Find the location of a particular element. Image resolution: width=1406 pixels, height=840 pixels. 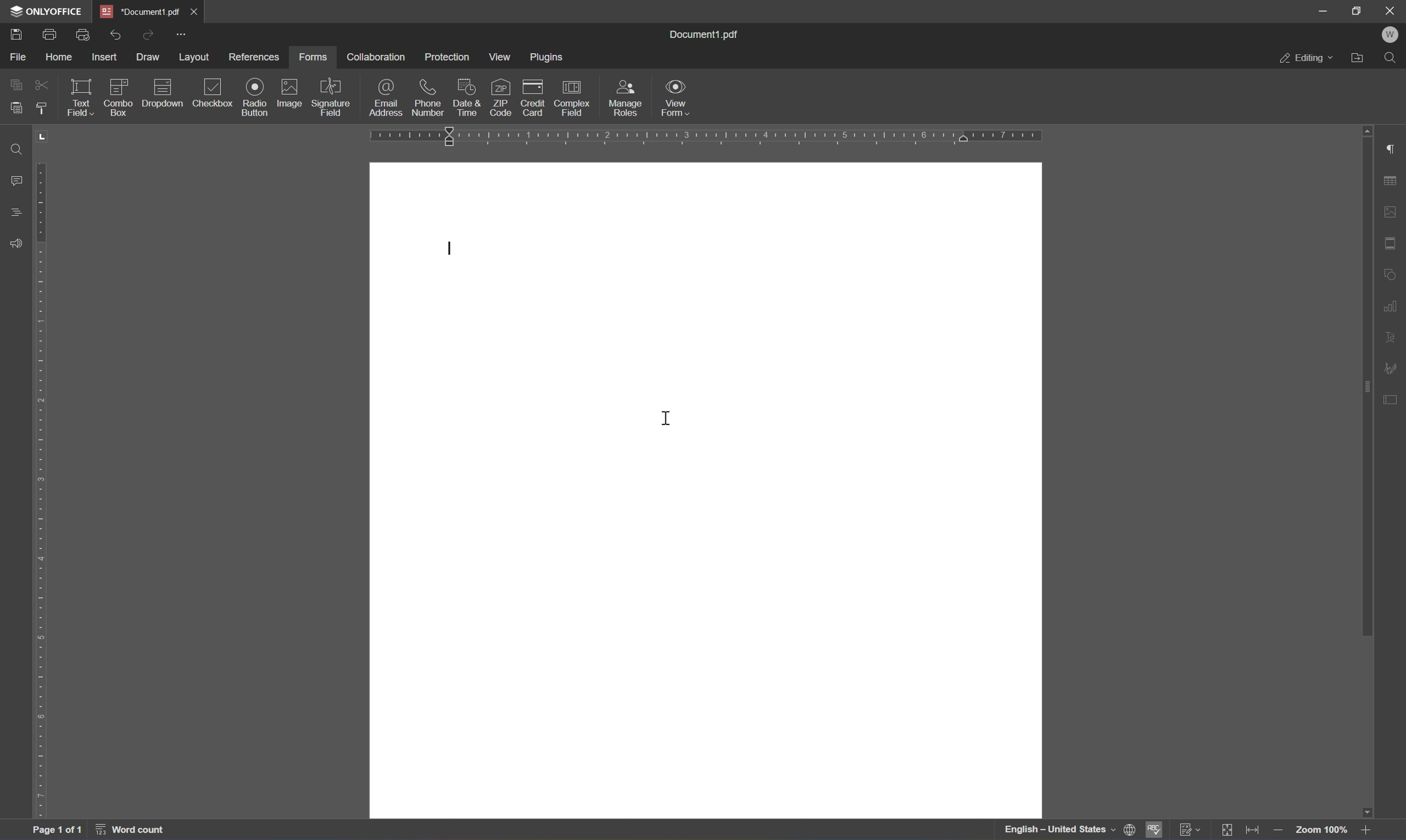

set document language is located at coordinates (1130, 832).